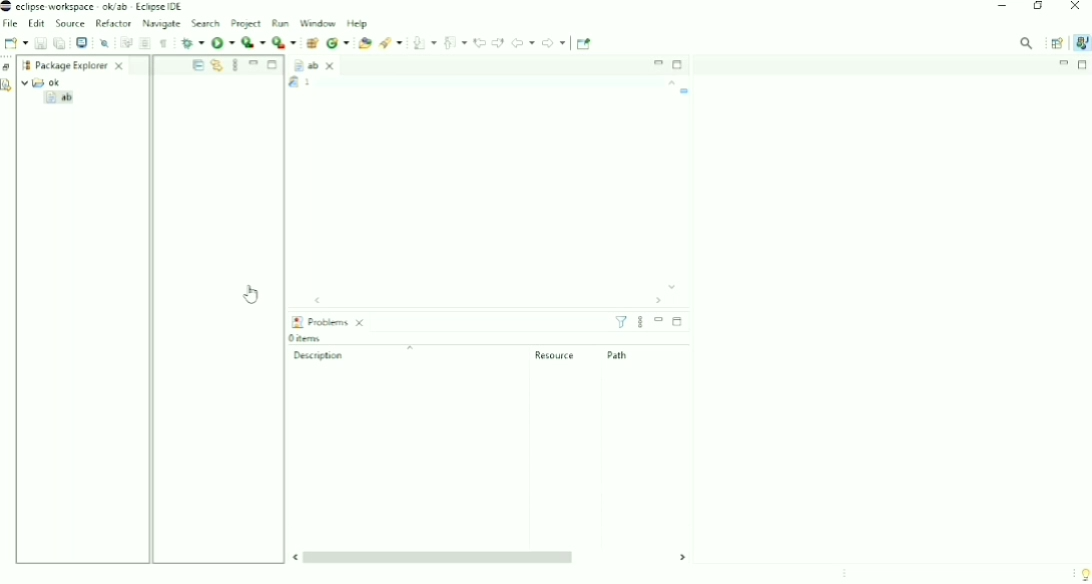 Image resolution: width=1092 pixels, height=584 pixels. What do you see at coordinates (554, 43) in the screenshot?
I see `Forward` at bounding box center [554, 43].